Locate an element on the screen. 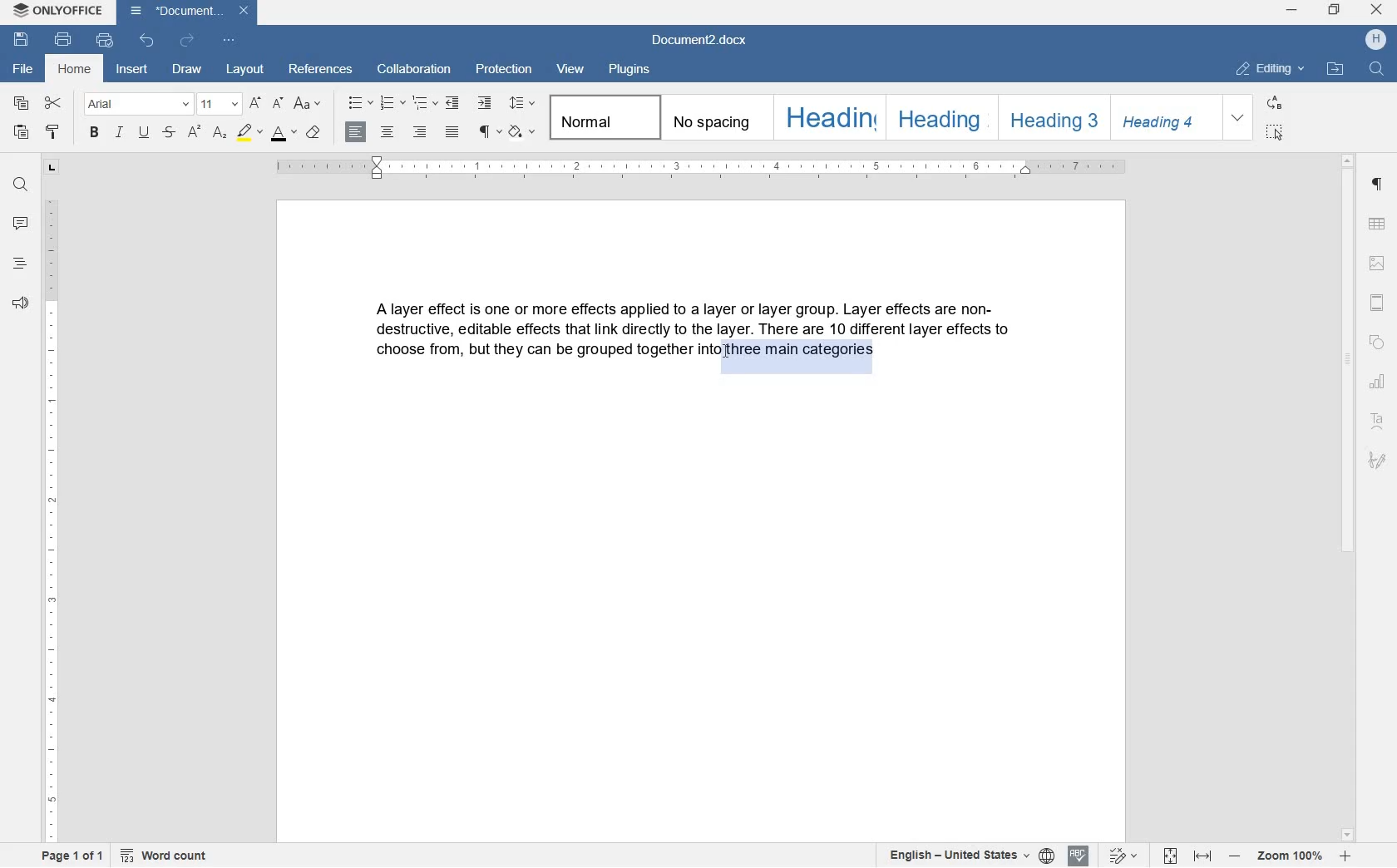  redo is located at coordinates (186, 41).